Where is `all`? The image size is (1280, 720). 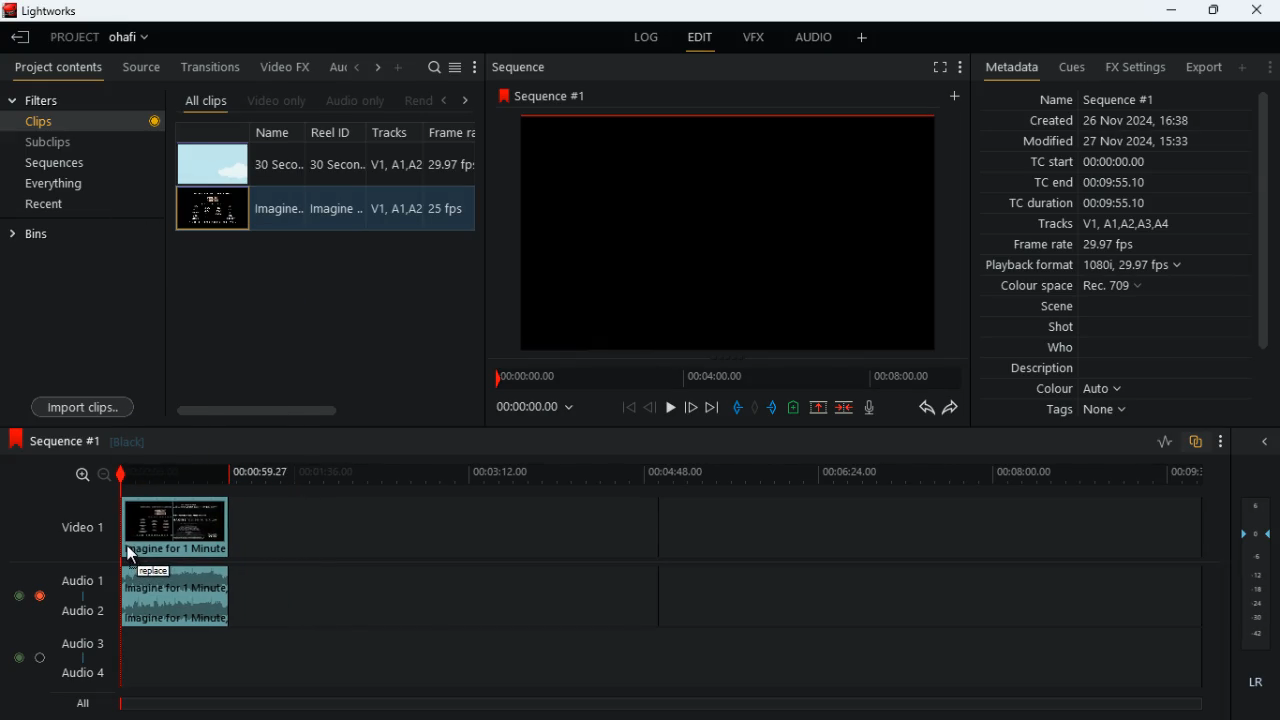
all is located at coordinates (87, 704).